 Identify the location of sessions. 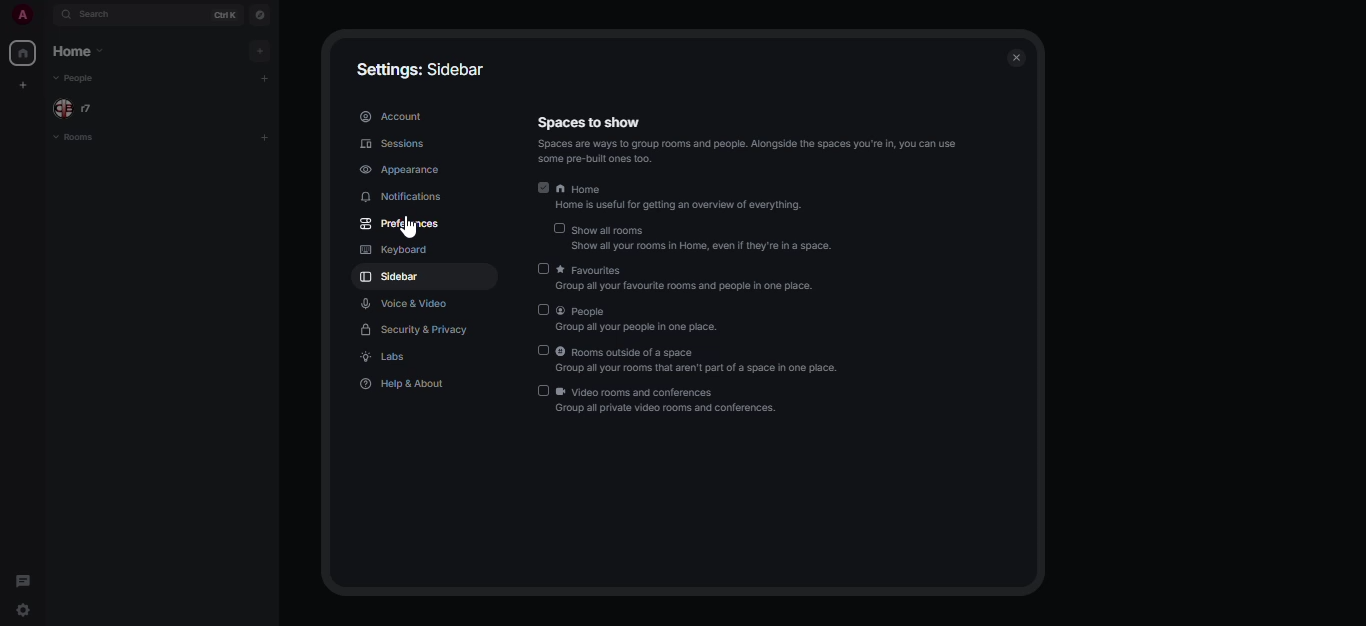
(393, 144).